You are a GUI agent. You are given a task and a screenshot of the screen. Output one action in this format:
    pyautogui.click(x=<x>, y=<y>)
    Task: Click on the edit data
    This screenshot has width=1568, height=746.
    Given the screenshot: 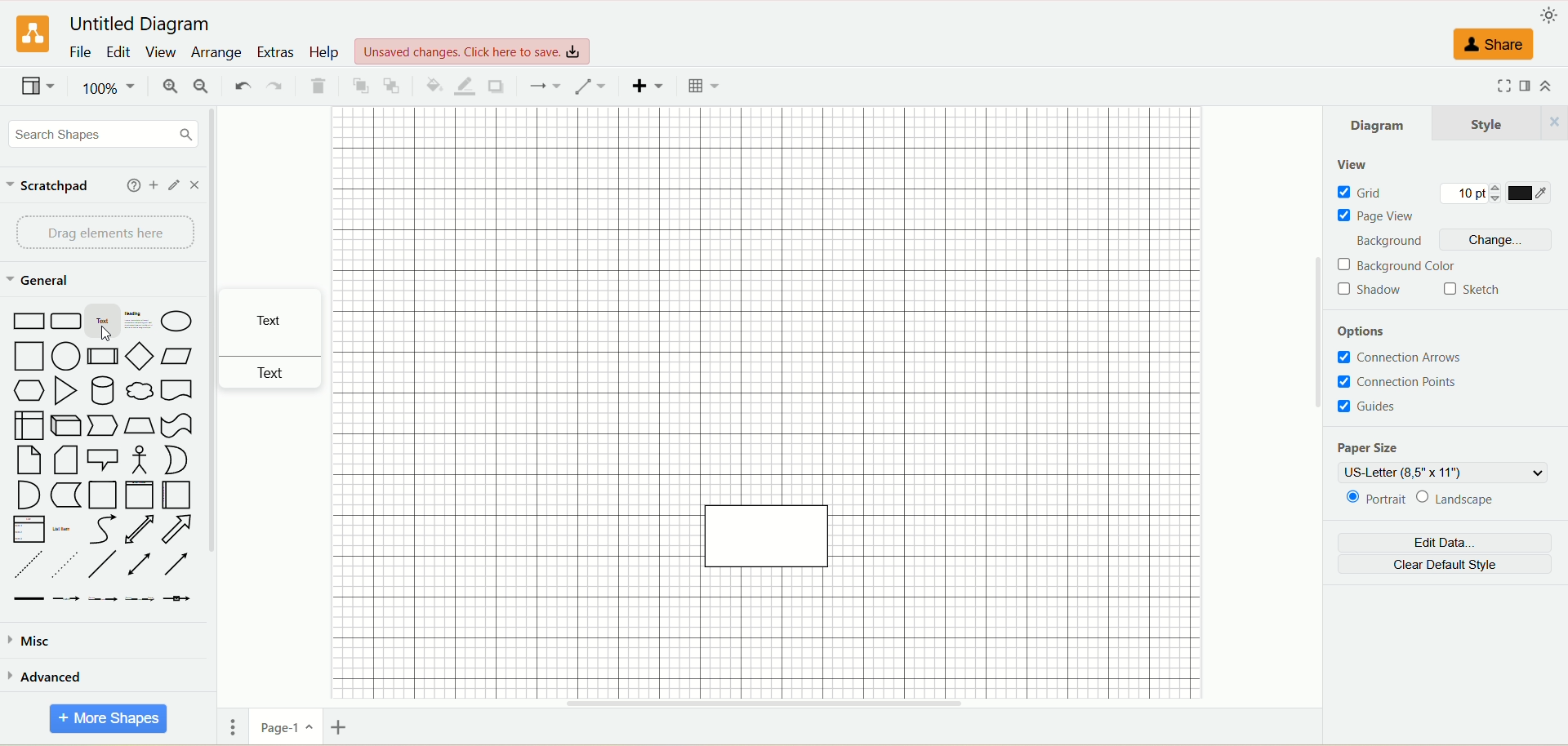 What is the action you would take?
    pyautogui.click(x=1451, y=544)
    